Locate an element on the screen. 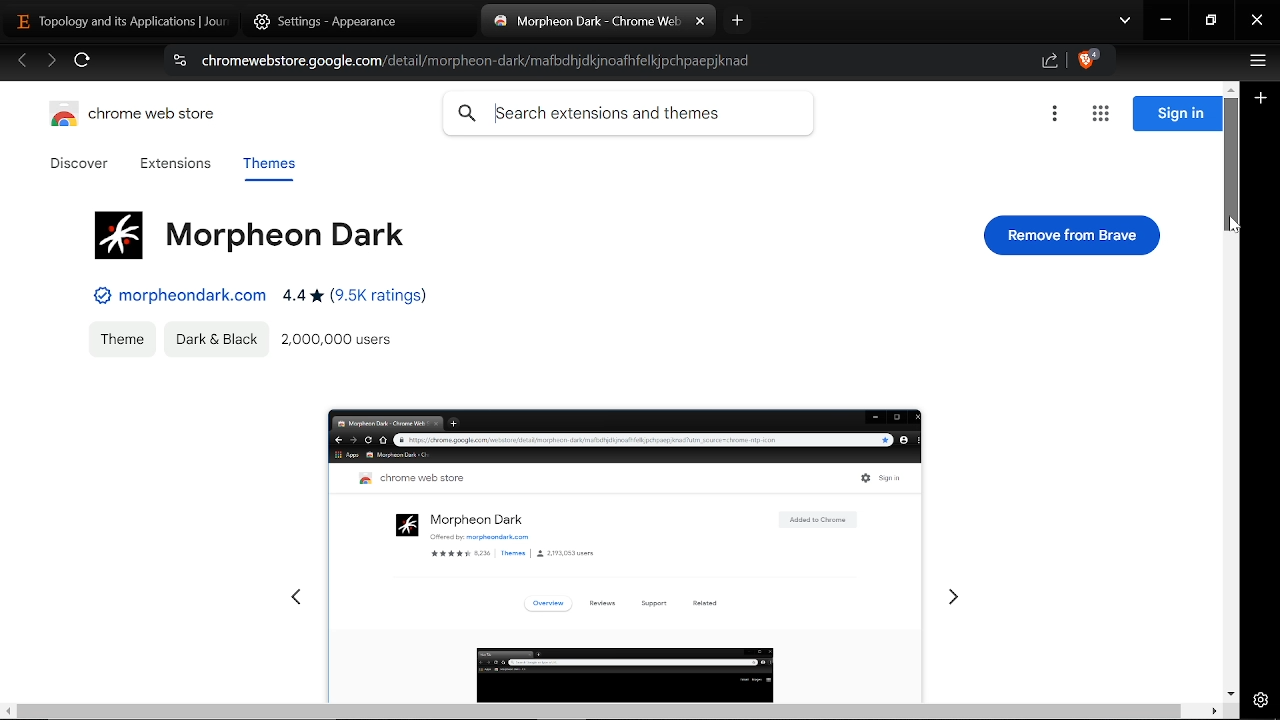 This screenshot has height=720, width=1280. Options is located at coordinates (1054, 115).